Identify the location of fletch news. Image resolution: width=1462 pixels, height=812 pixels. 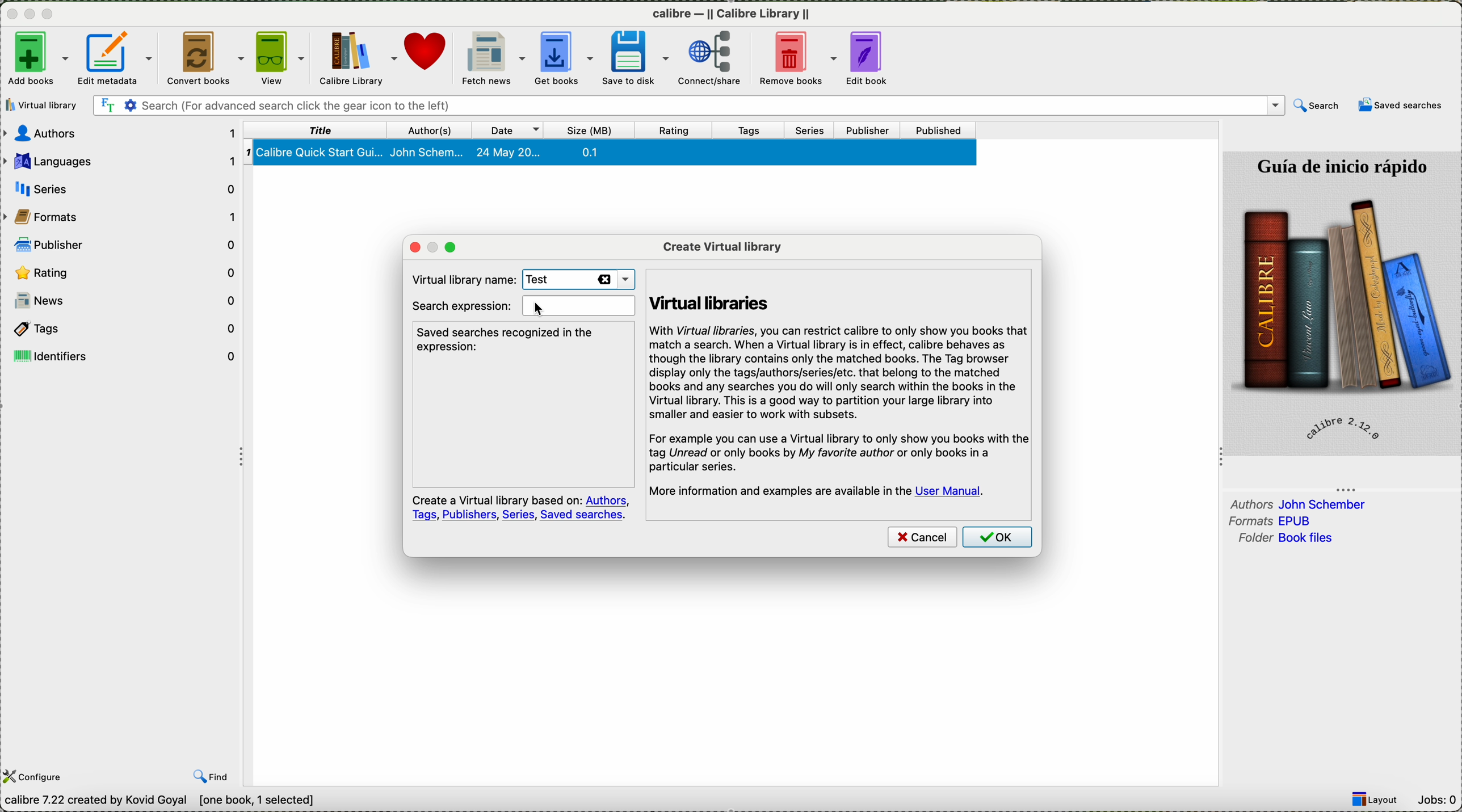
(490, 58).